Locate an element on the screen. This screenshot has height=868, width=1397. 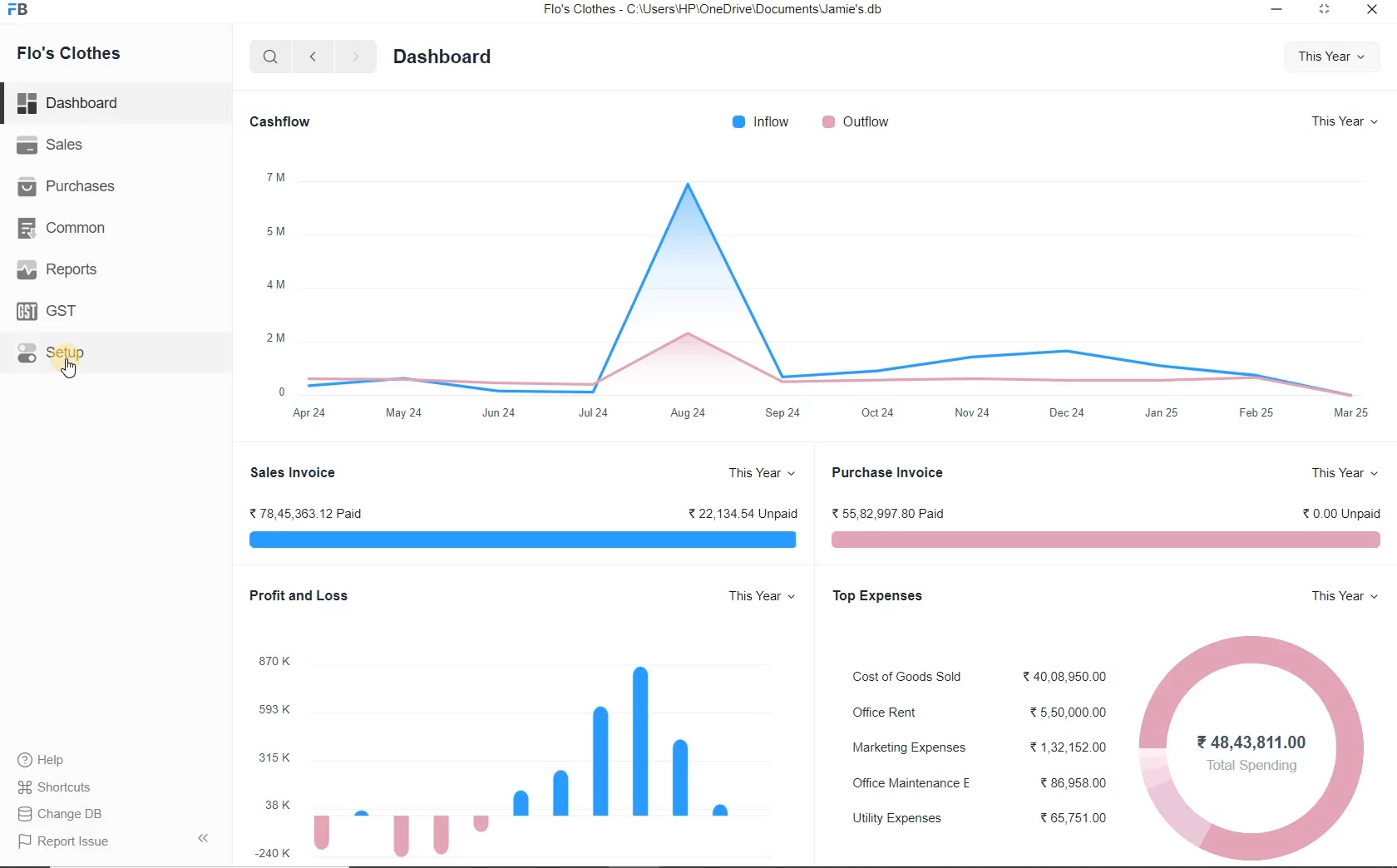
This Year v is located at coordinates (762, 474).